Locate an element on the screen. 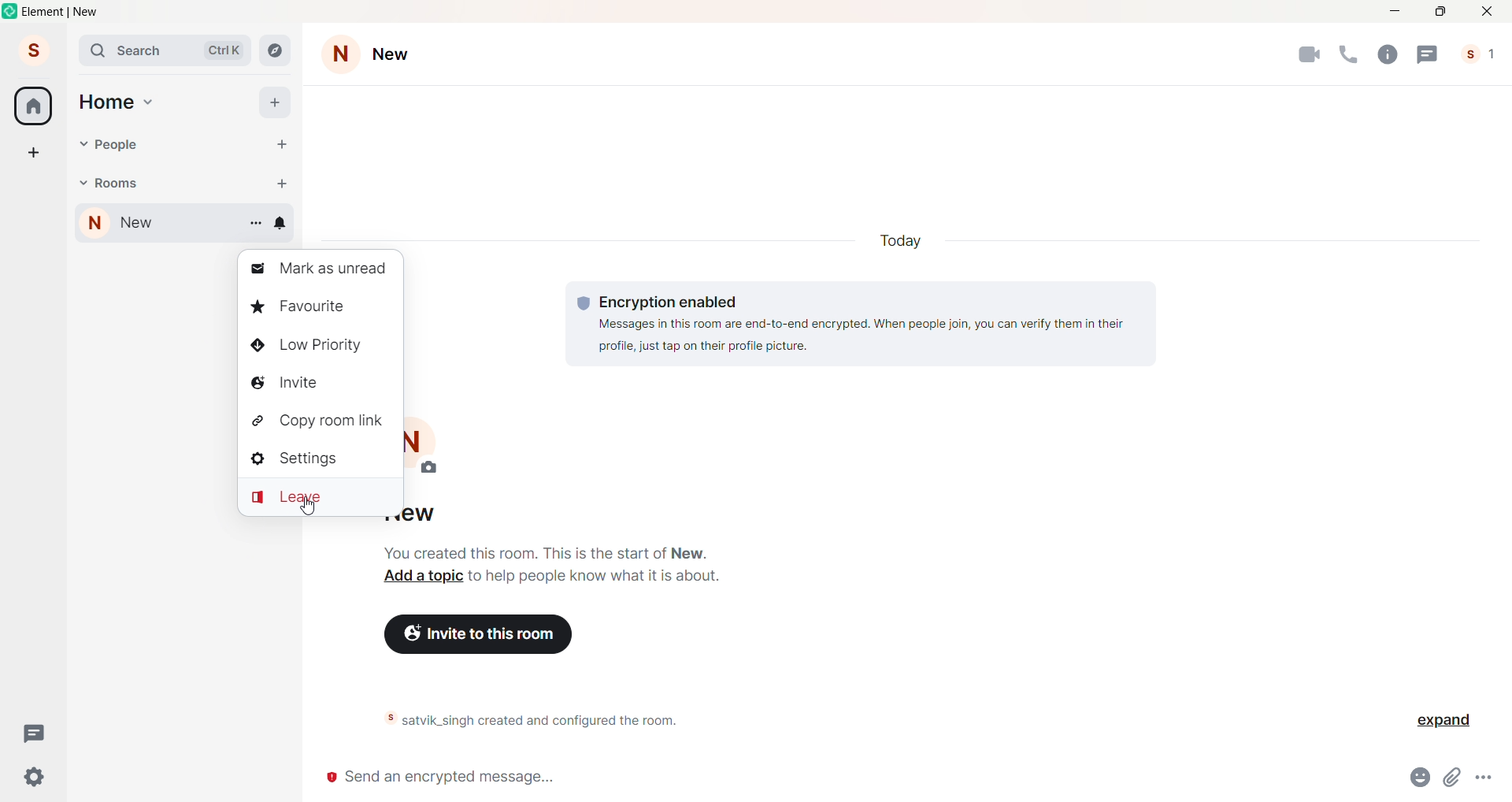 This screenshot has width=1512, height=802. Add Room is located at coordinates (283, 183).